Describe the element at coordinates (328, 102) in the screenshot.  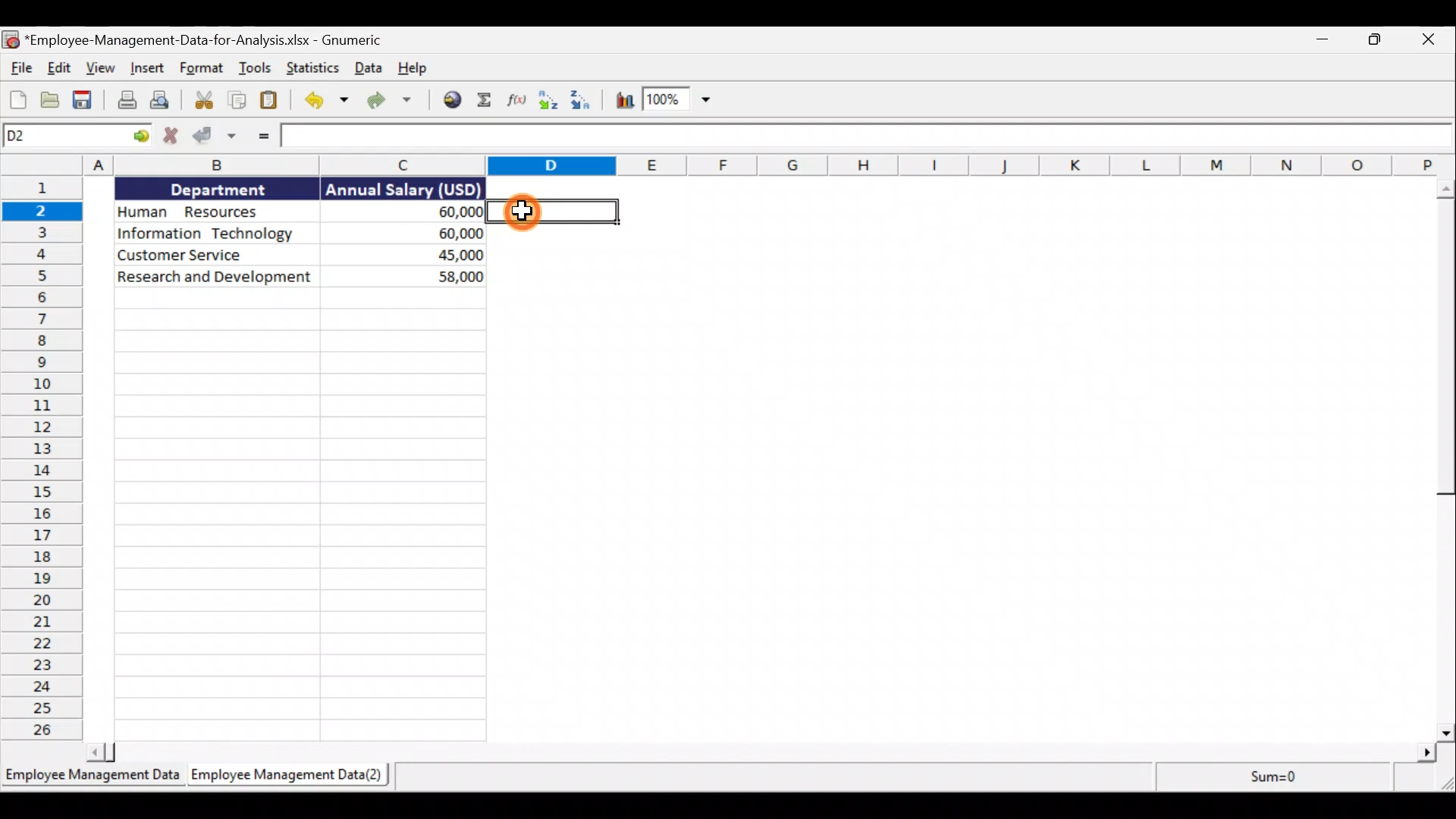
I see `Undo the last action` at that location.